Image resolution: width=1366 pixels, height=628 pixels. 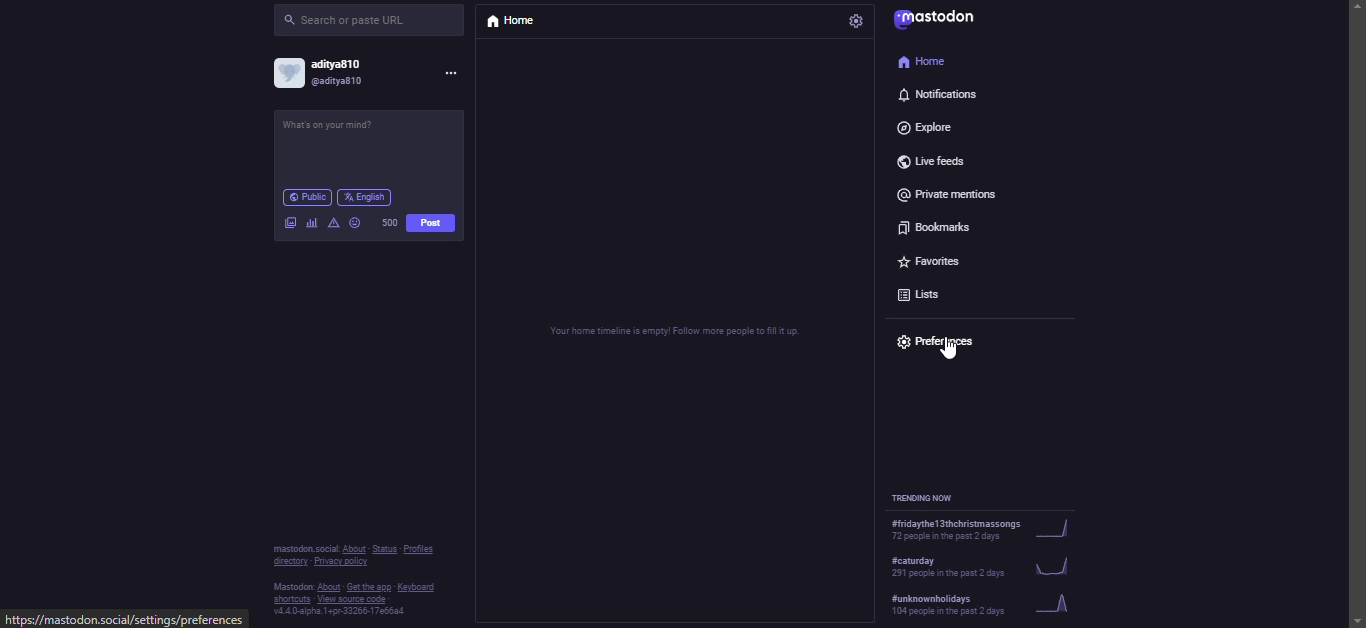 What do you see at coordinates (342, 125) in the screenshot?
I see `post` at bounding box center [342, 125].